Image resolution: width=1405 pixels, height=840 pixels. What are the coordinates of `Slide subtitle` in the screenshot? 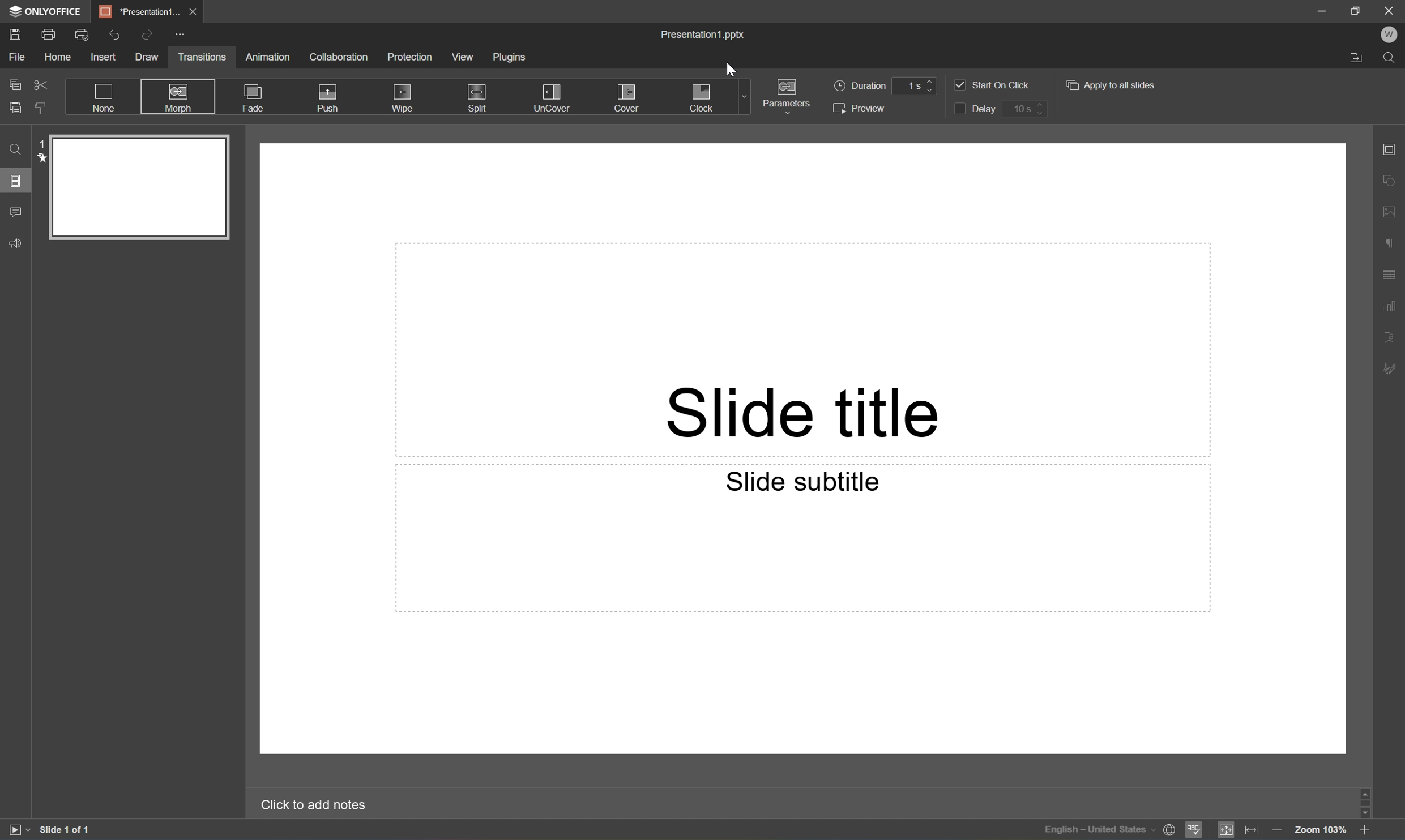 It's located at (807, 481).